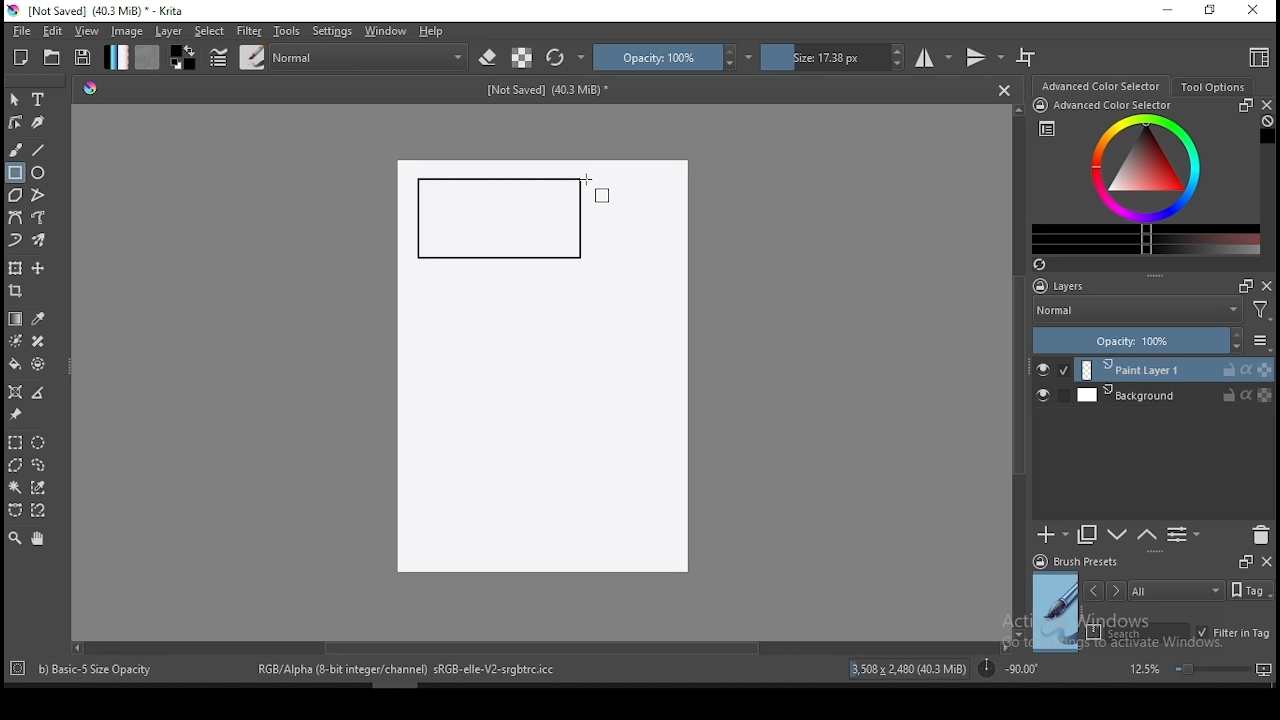  I want to click on pattern, so click(147, 57).